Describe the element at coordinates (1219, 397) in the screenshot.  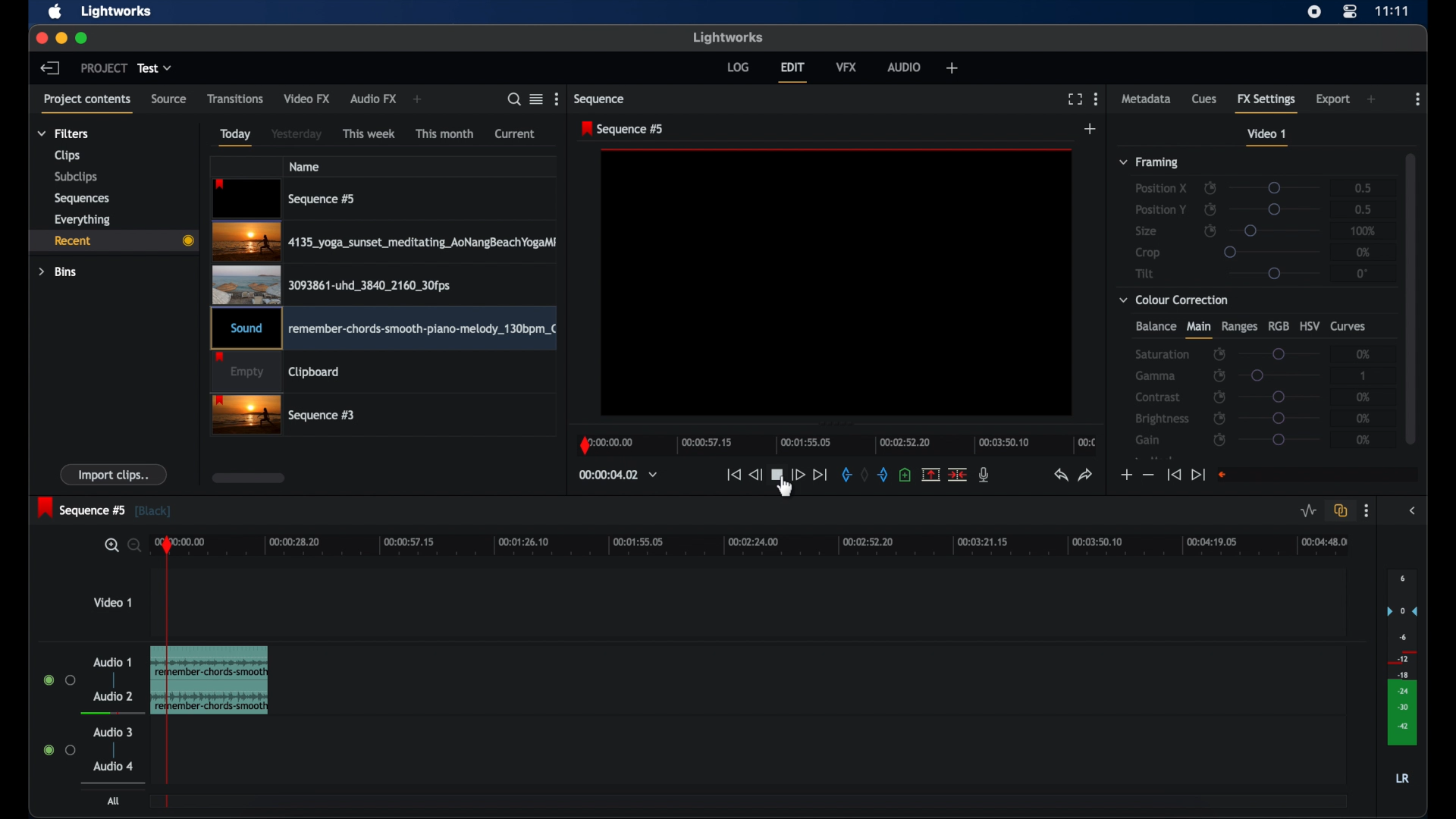
I see `enable/disable keyframes` at that location.